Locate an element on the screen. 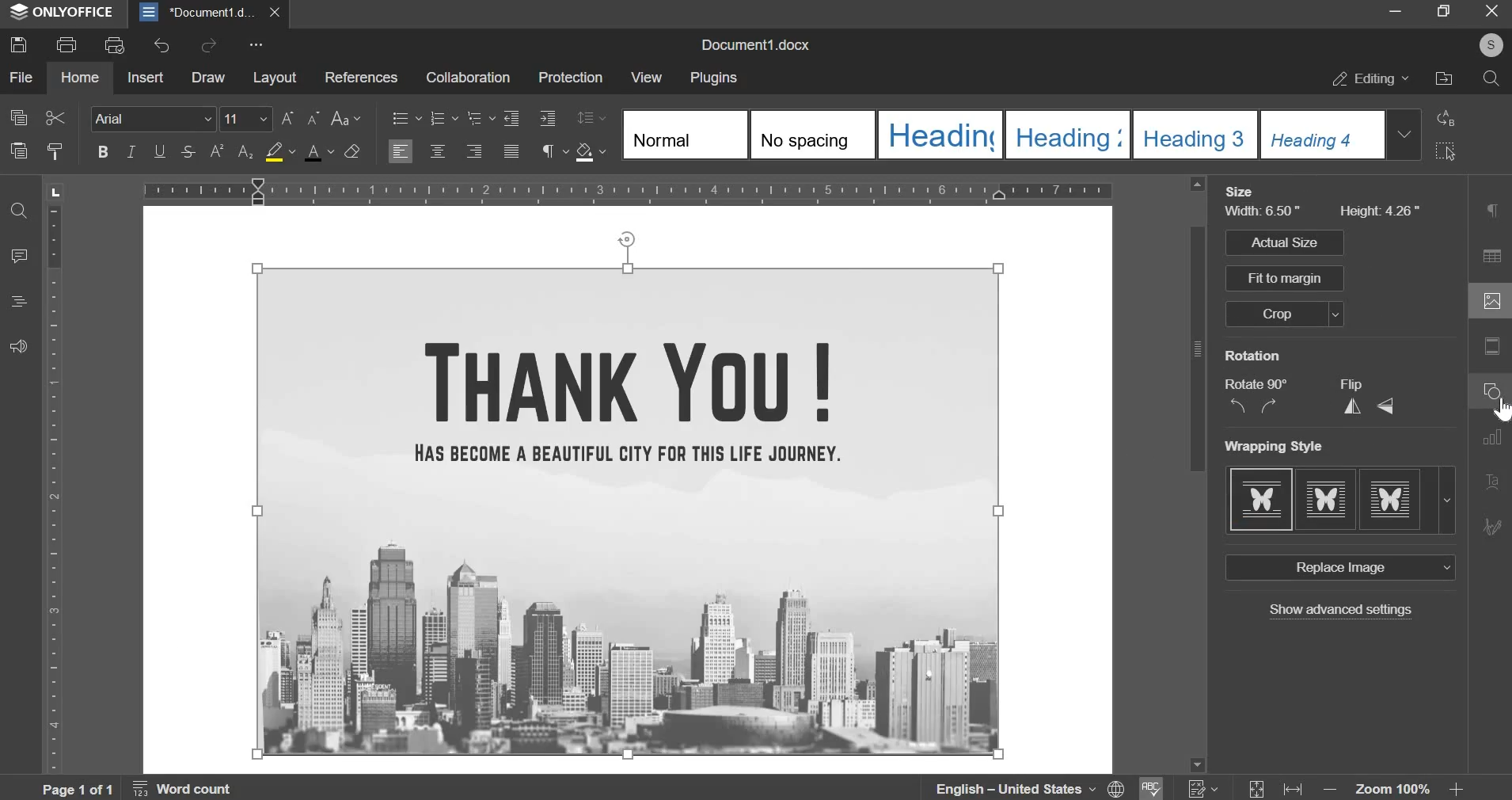 Image resolution: width=1512 pixels, height=800 pixels. Word Count is located at coordinates (185, 787).